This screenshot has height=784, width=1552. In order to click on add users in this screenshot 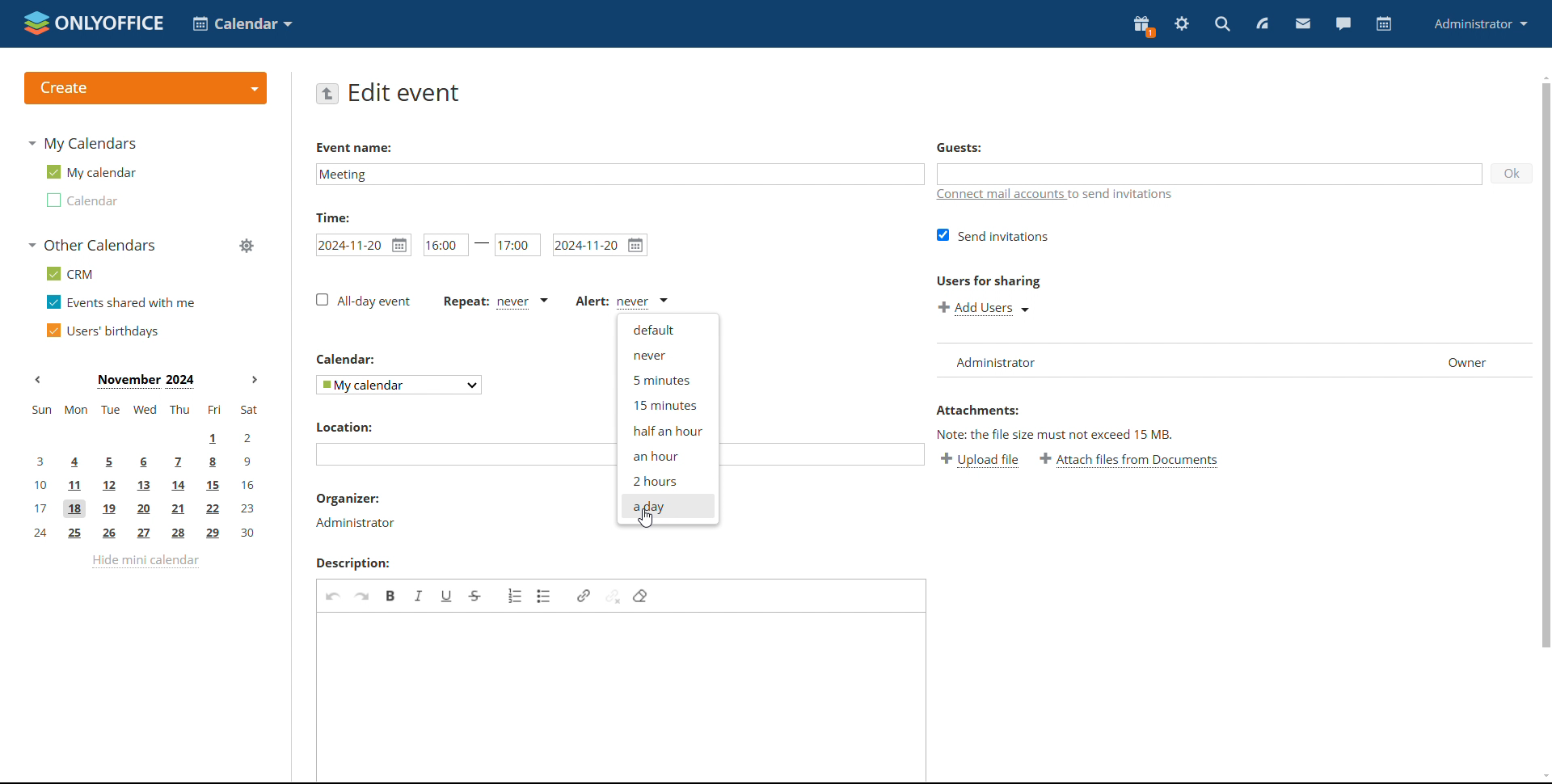, I will do `click(984, 308)`.